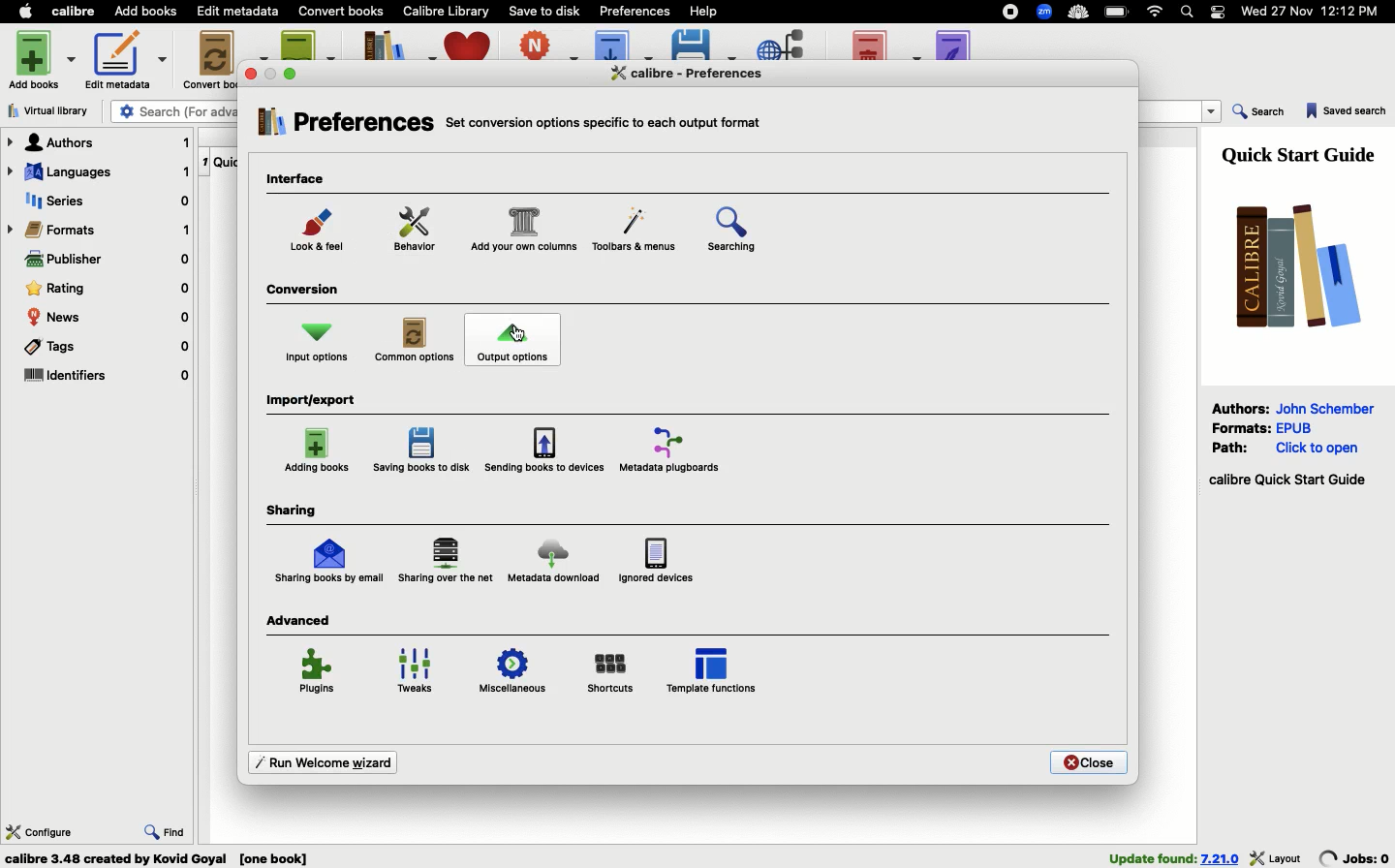 The image size is (1395, 868). I want to click on Authors, so click(1241, 408).